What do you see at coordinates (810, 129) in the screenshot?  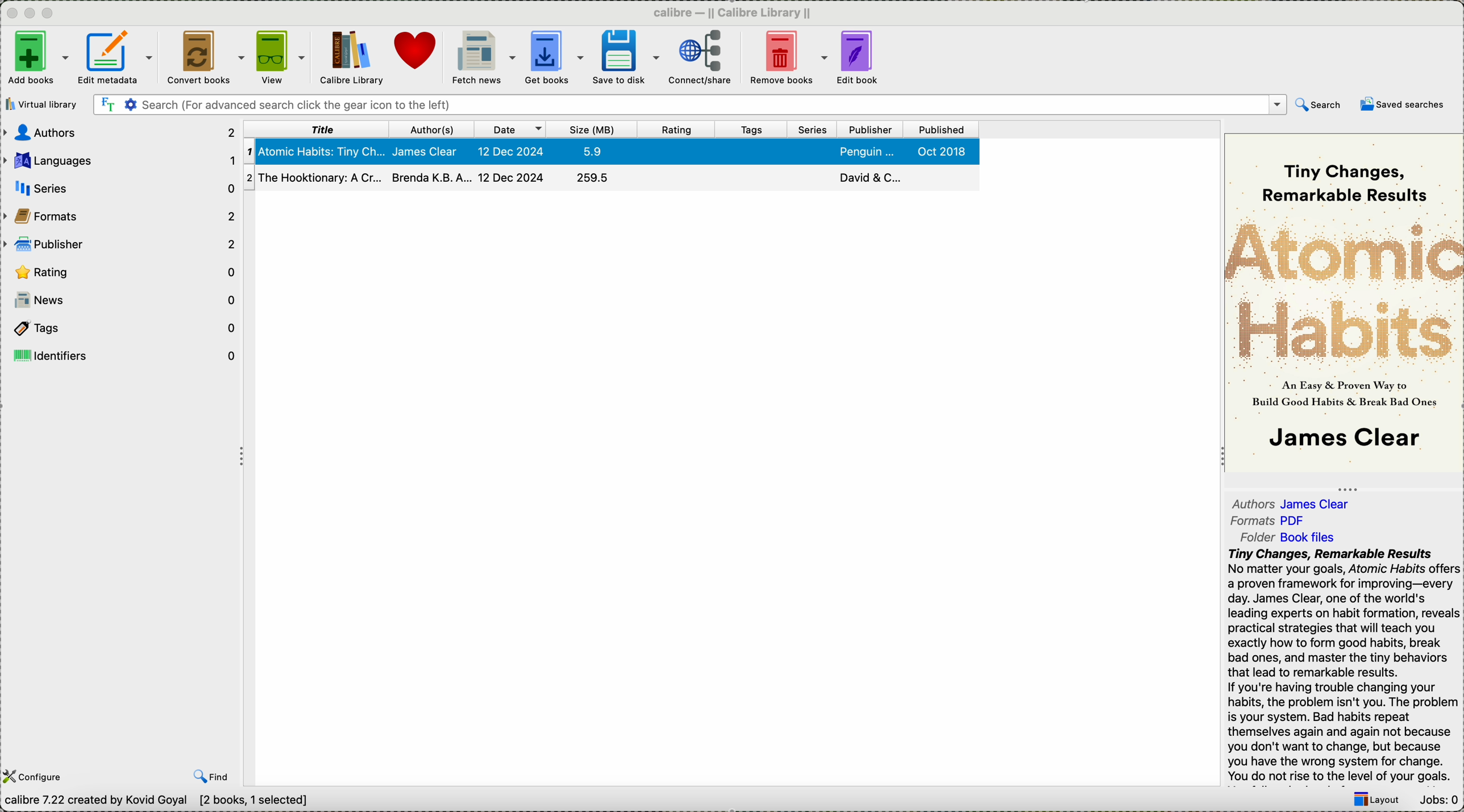 I see `series` at bounding box center [810, 129].